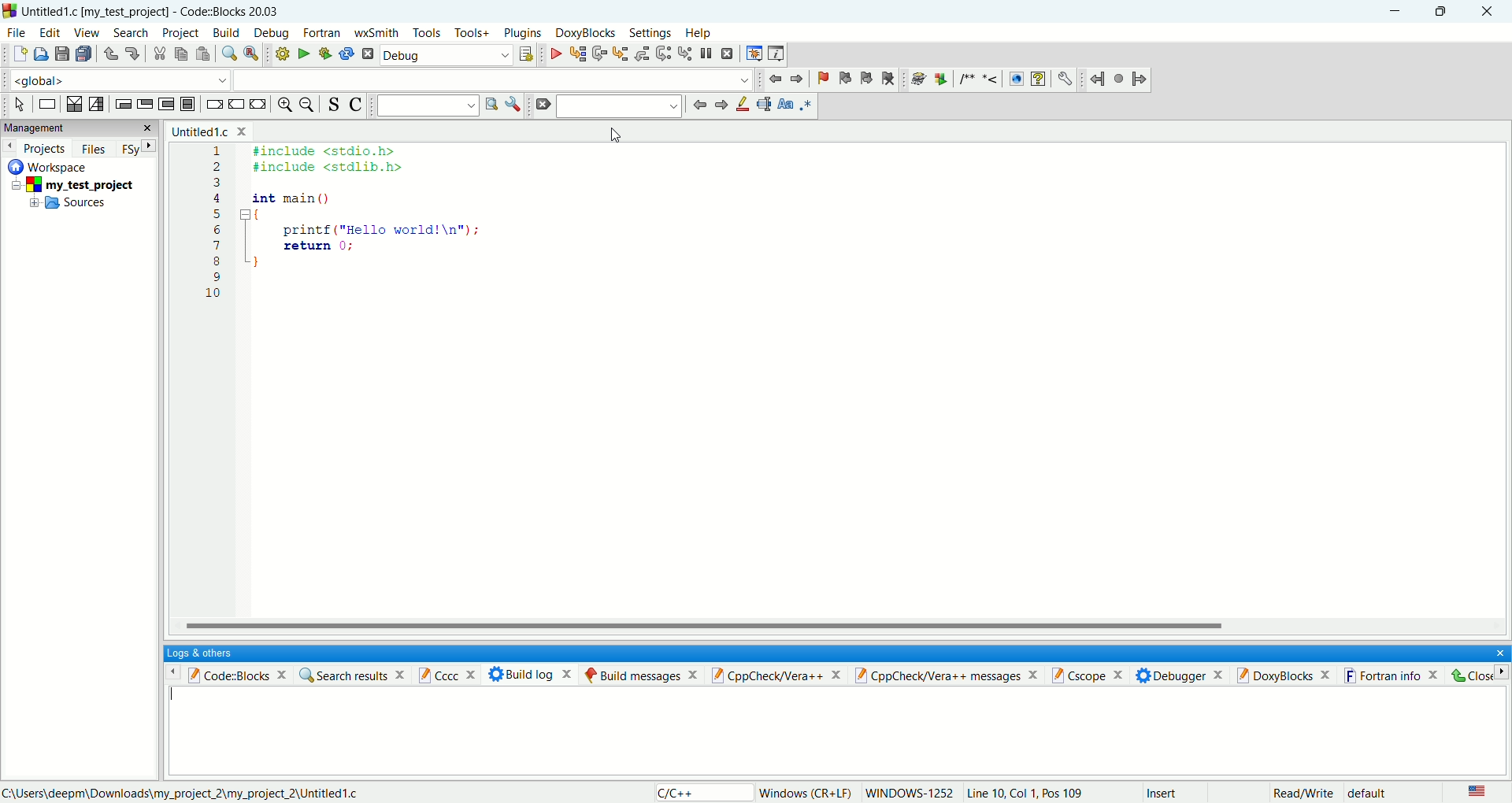  What do you see at coordinates (916, 80) in the screenshot?
I see `doxywizard` at bounding box center [916, 80].